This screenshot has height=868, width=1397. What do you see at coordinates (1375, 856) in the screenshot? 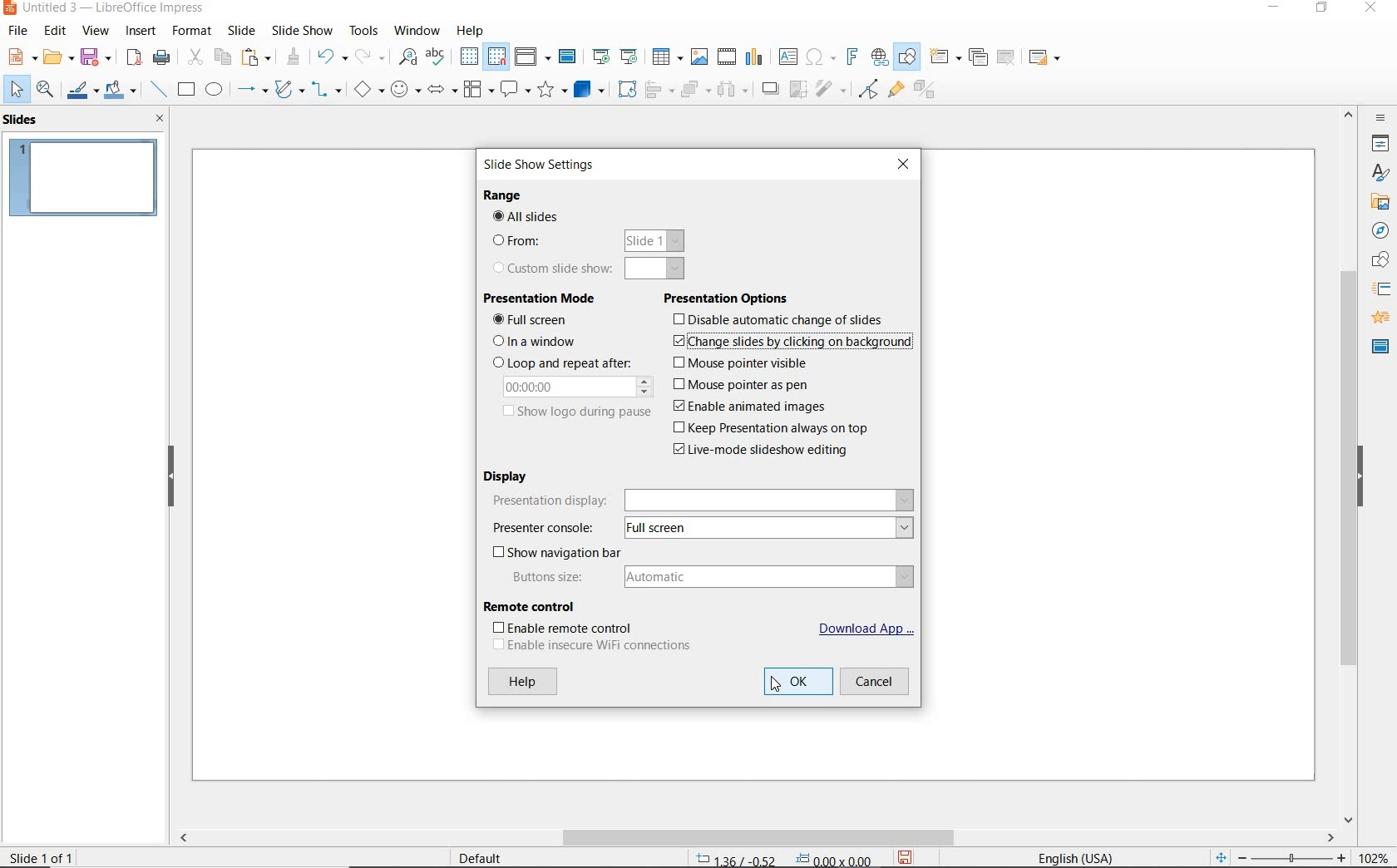
I see `ZOOM FACTOR` at bounding box center [1375, 856].